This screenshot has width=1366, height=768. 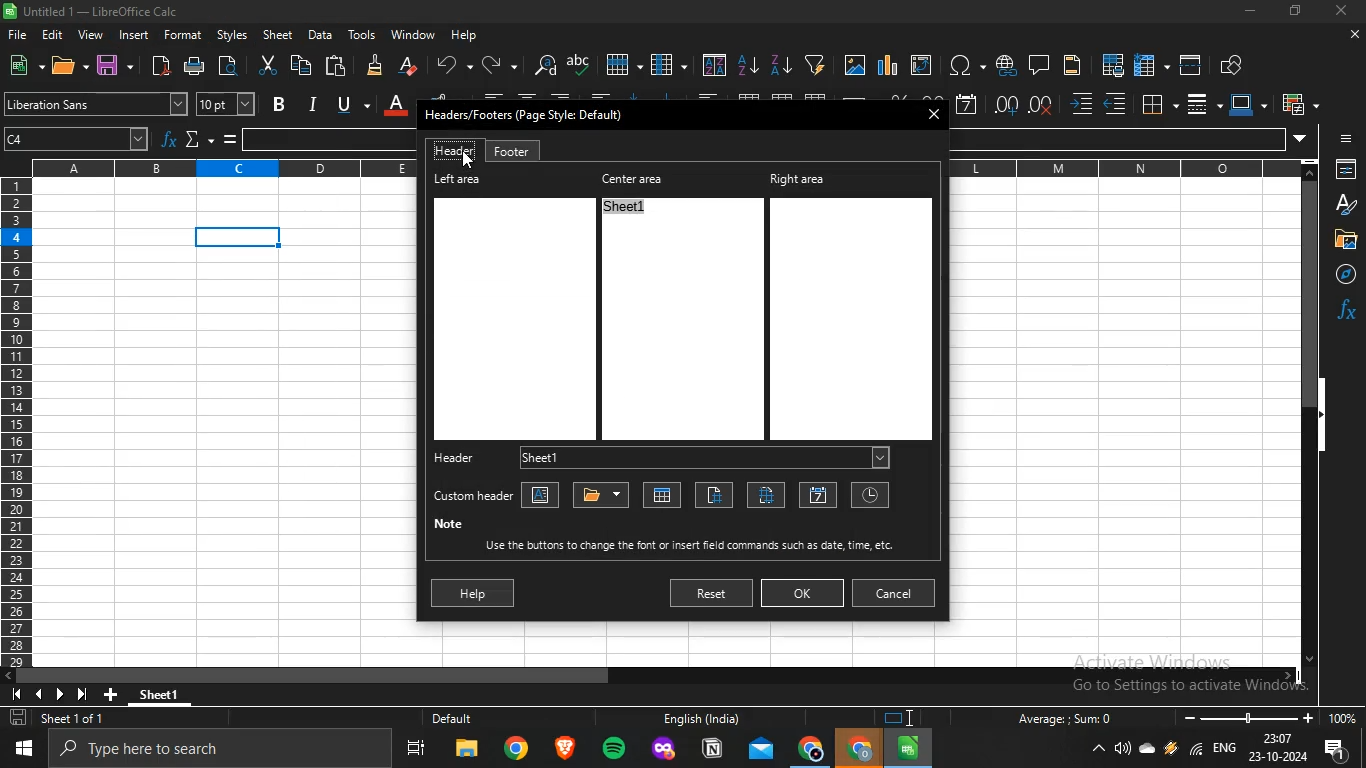 What do you see at coordinates (967, 103) in the screenshot?
I see `format as date` at bounding box center [967, 103].